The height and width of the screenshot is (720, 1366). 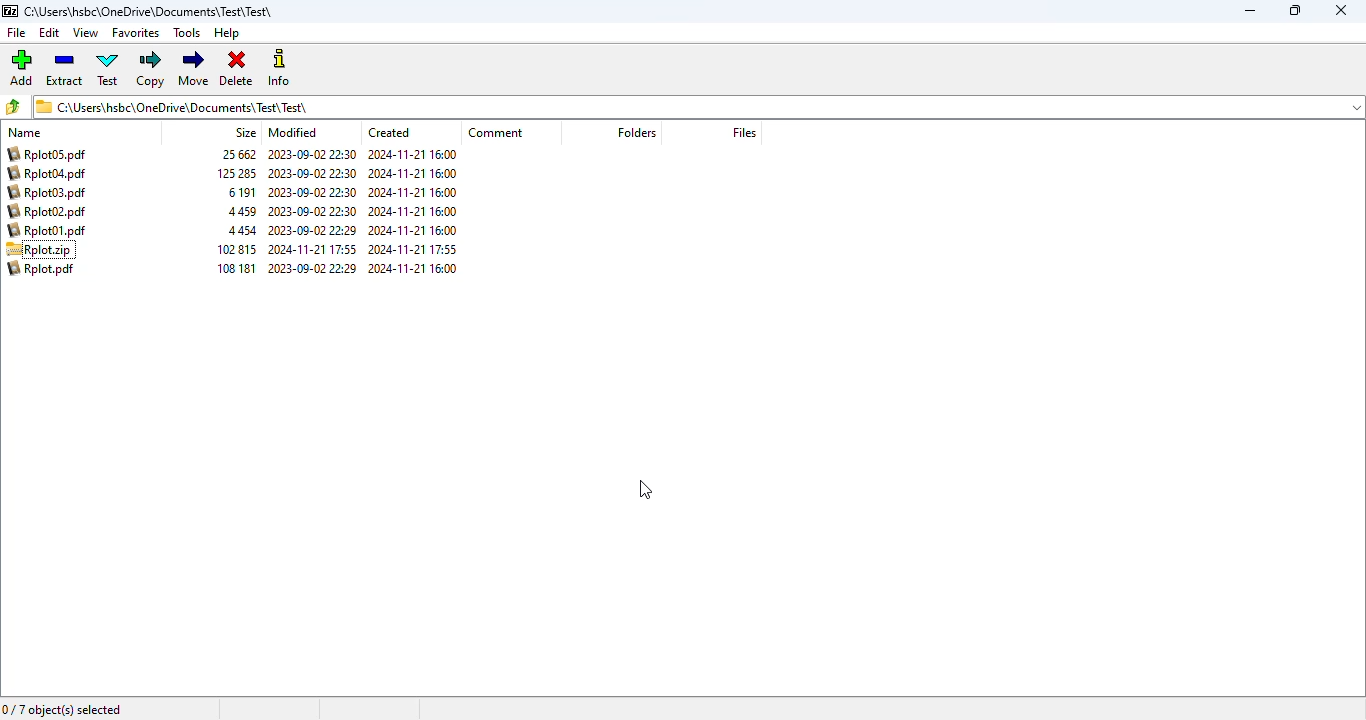 What do you see at coordinates (413, 154) in the screenshot?
I see `2024-11-21 16:00` at bounding box center [413, 154].